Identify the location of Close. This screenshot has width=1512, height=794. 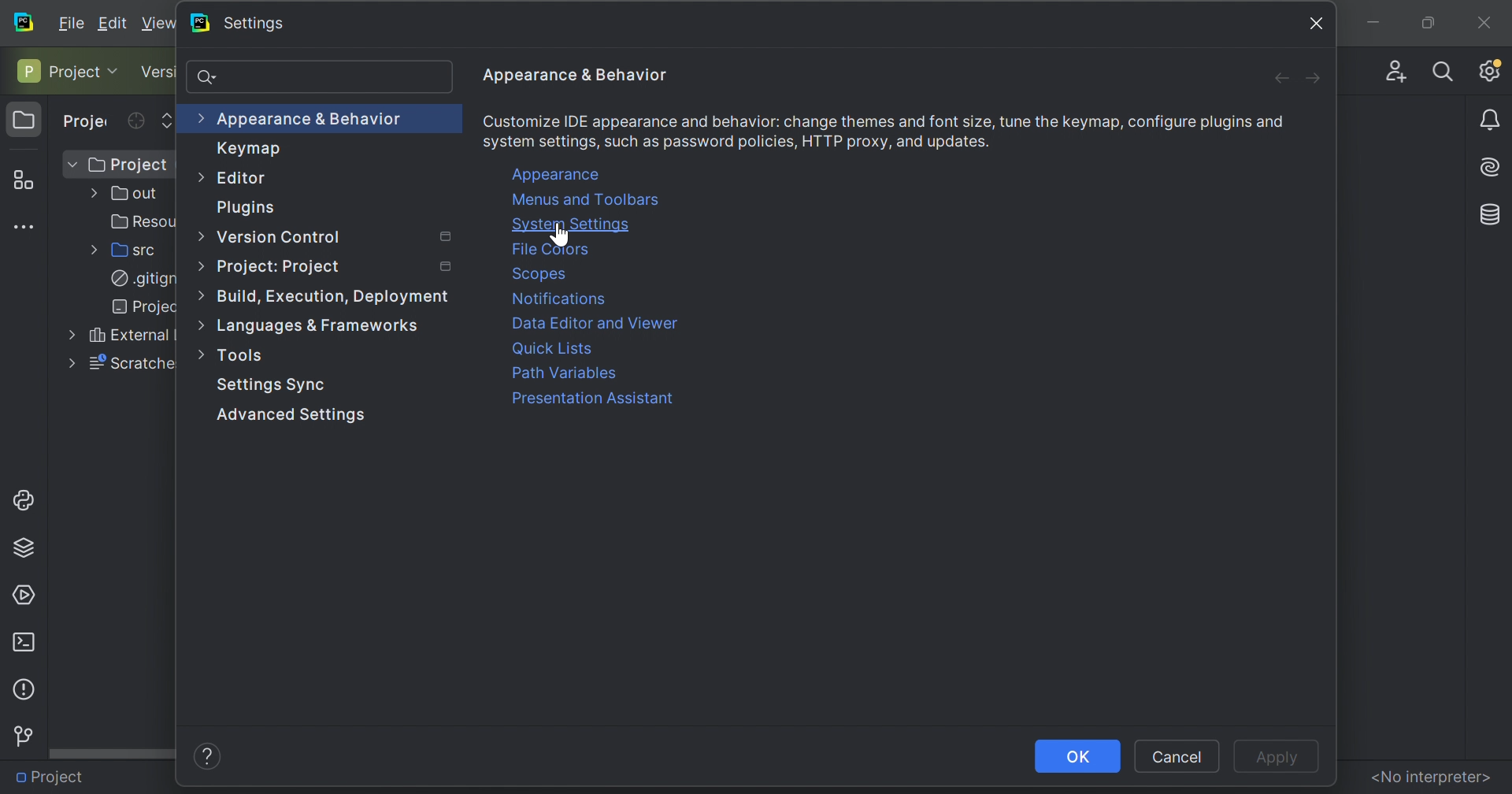
(1318, 22).